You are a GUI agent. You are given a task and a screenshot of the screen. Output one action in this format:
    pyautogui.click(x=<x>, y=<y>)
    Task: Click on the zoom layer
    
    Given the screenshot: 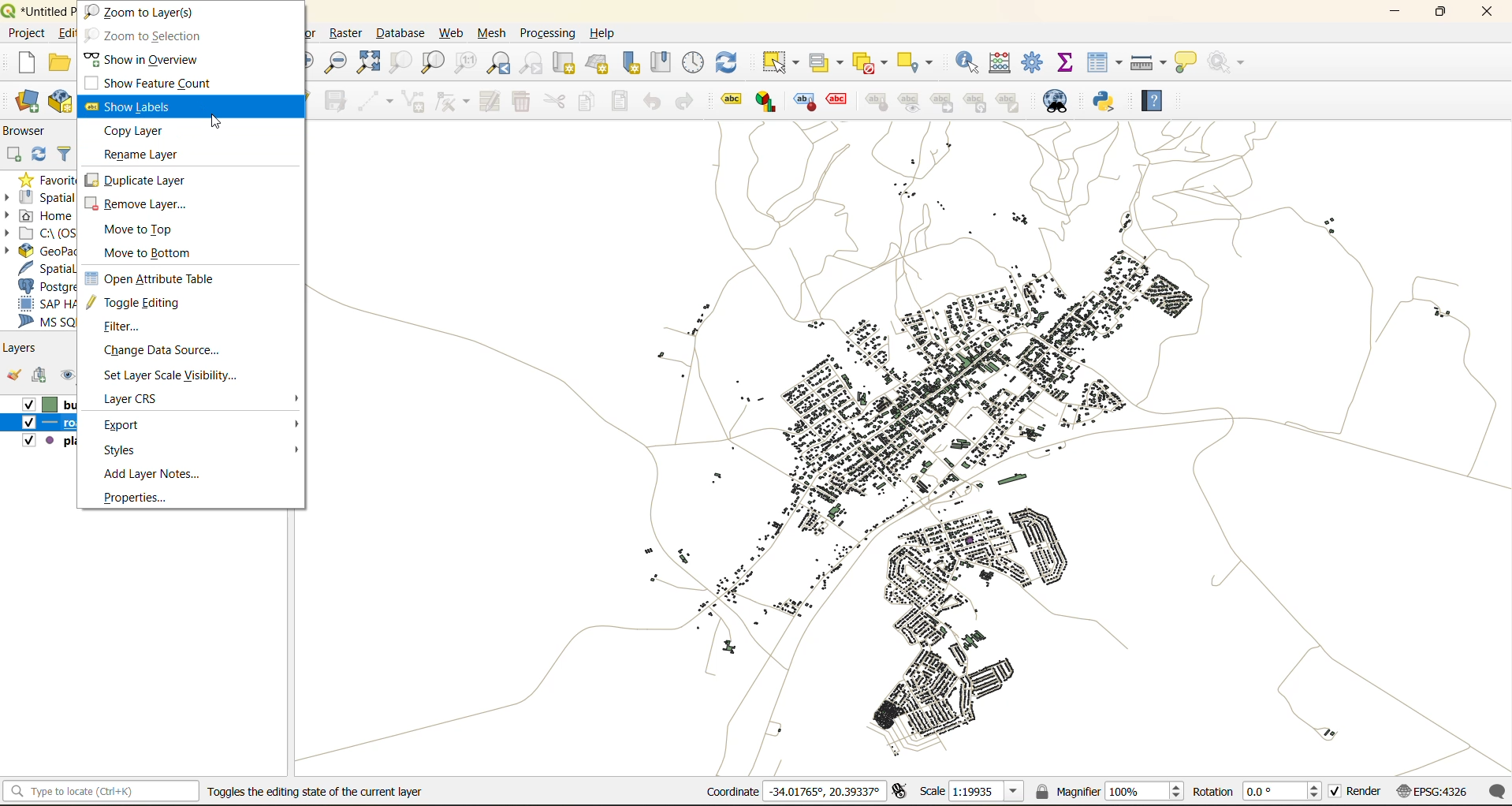 What is the action you would take?
    pyautogui.click(x=434, y=61)
    